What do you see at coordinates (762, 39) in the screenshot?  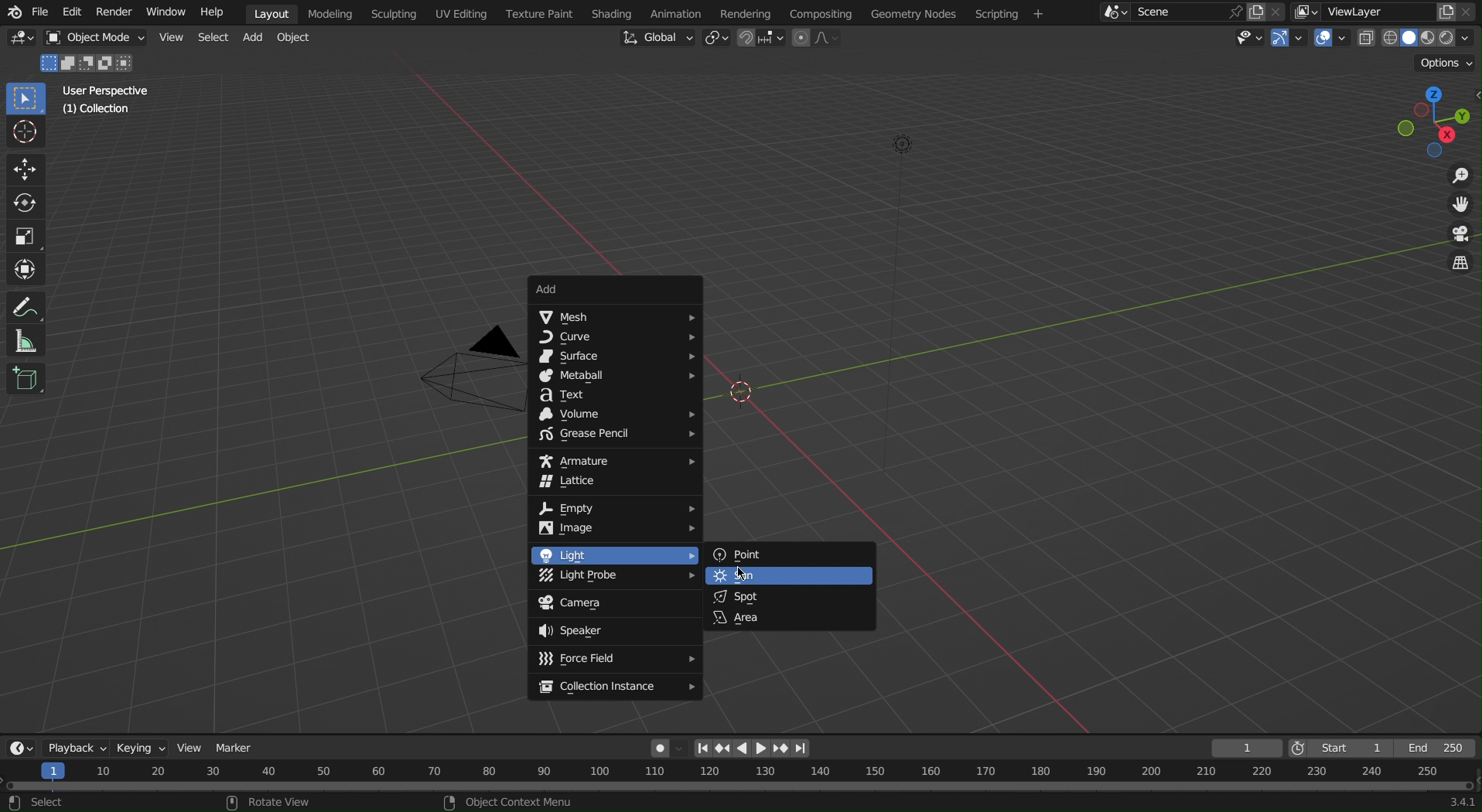 I see `Snapping` at bounding box center [762, 39].